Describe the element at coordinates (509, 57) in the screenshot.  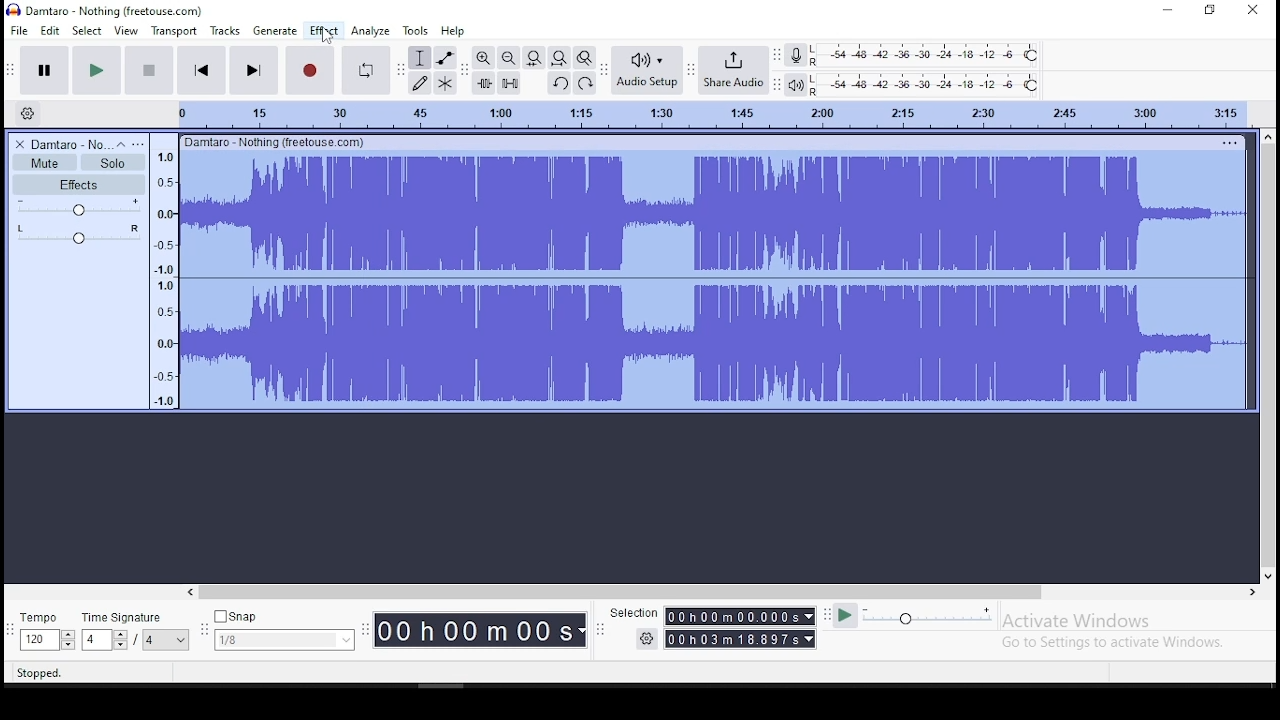
I see `zoom ` at that location.